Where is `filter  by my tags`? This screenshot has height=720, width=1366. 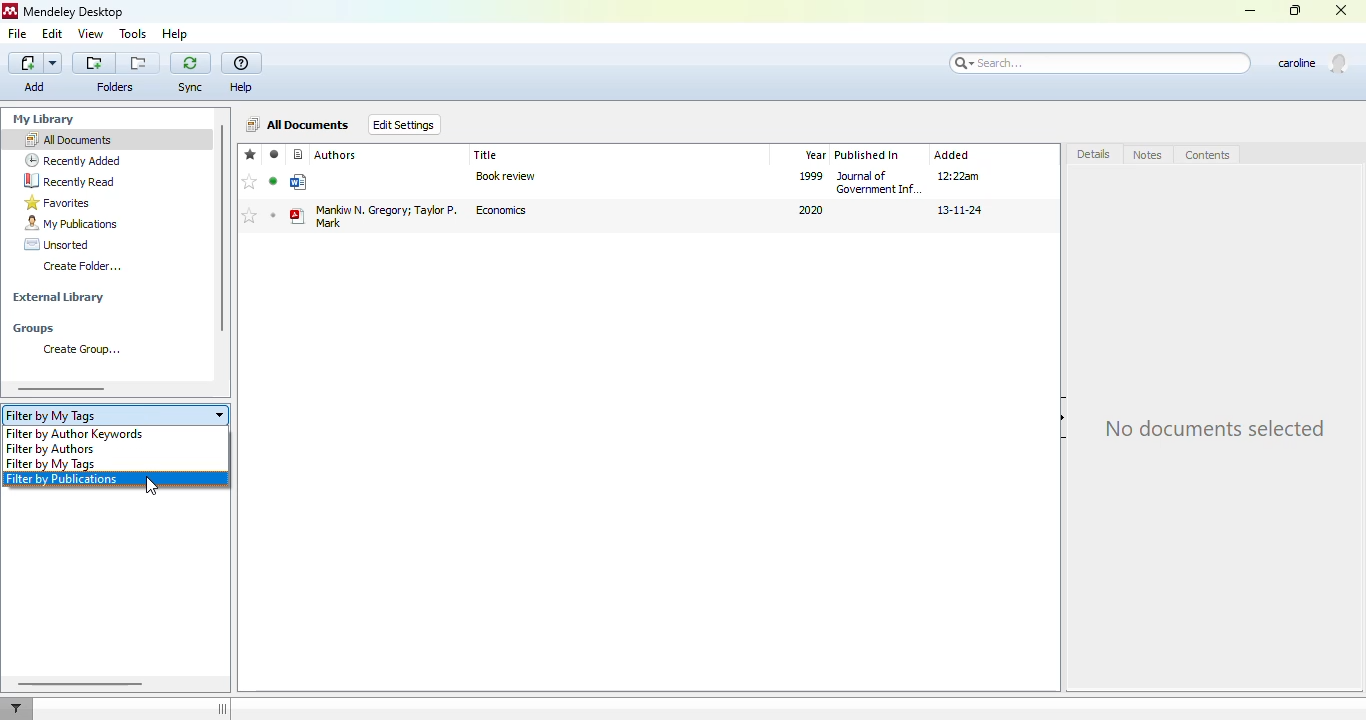
filter  by my tags is located at coordinates (51, 464).